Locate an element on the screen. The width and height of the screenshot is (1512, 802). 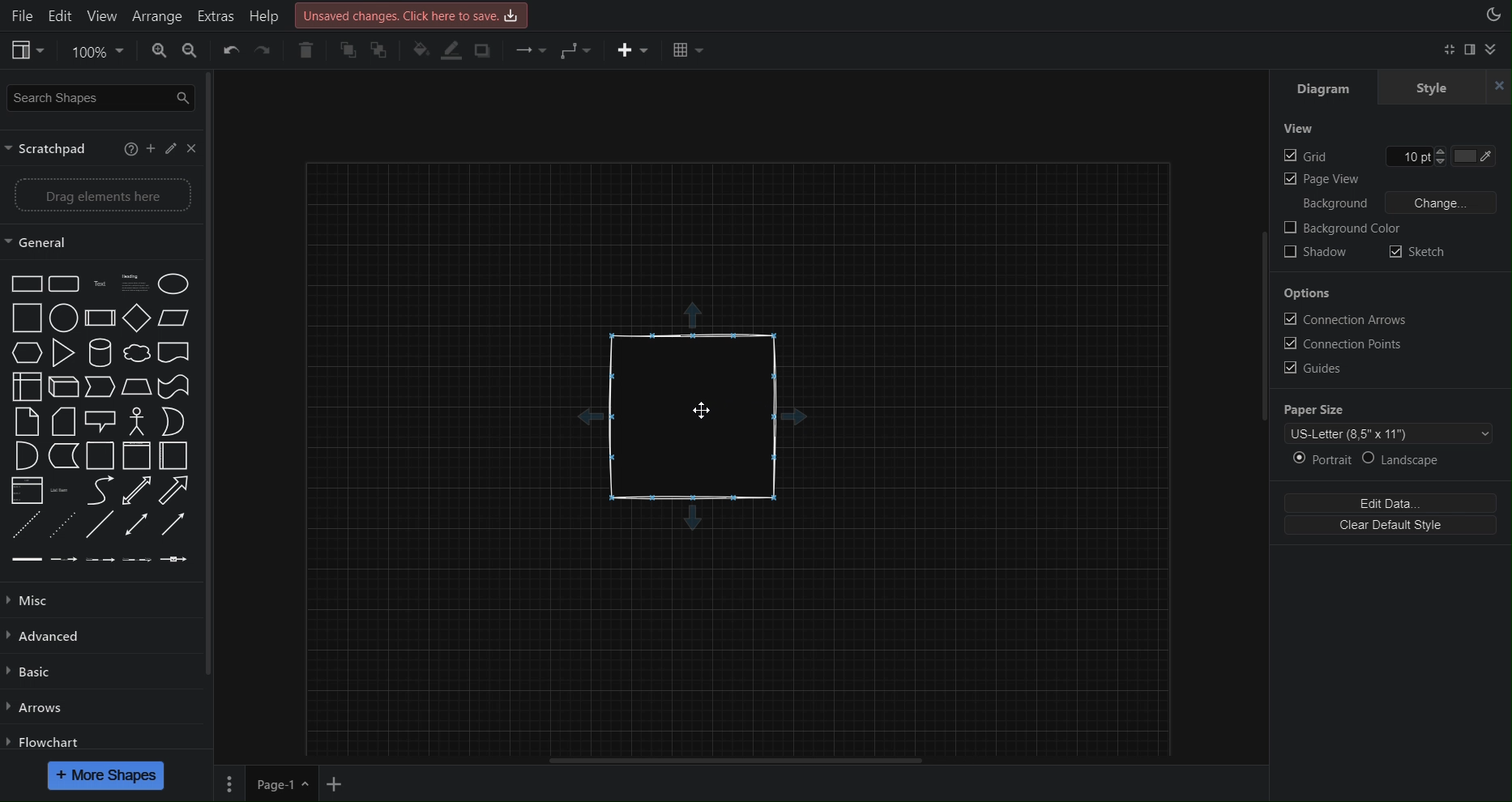
View is located at coordinates (99, 13).